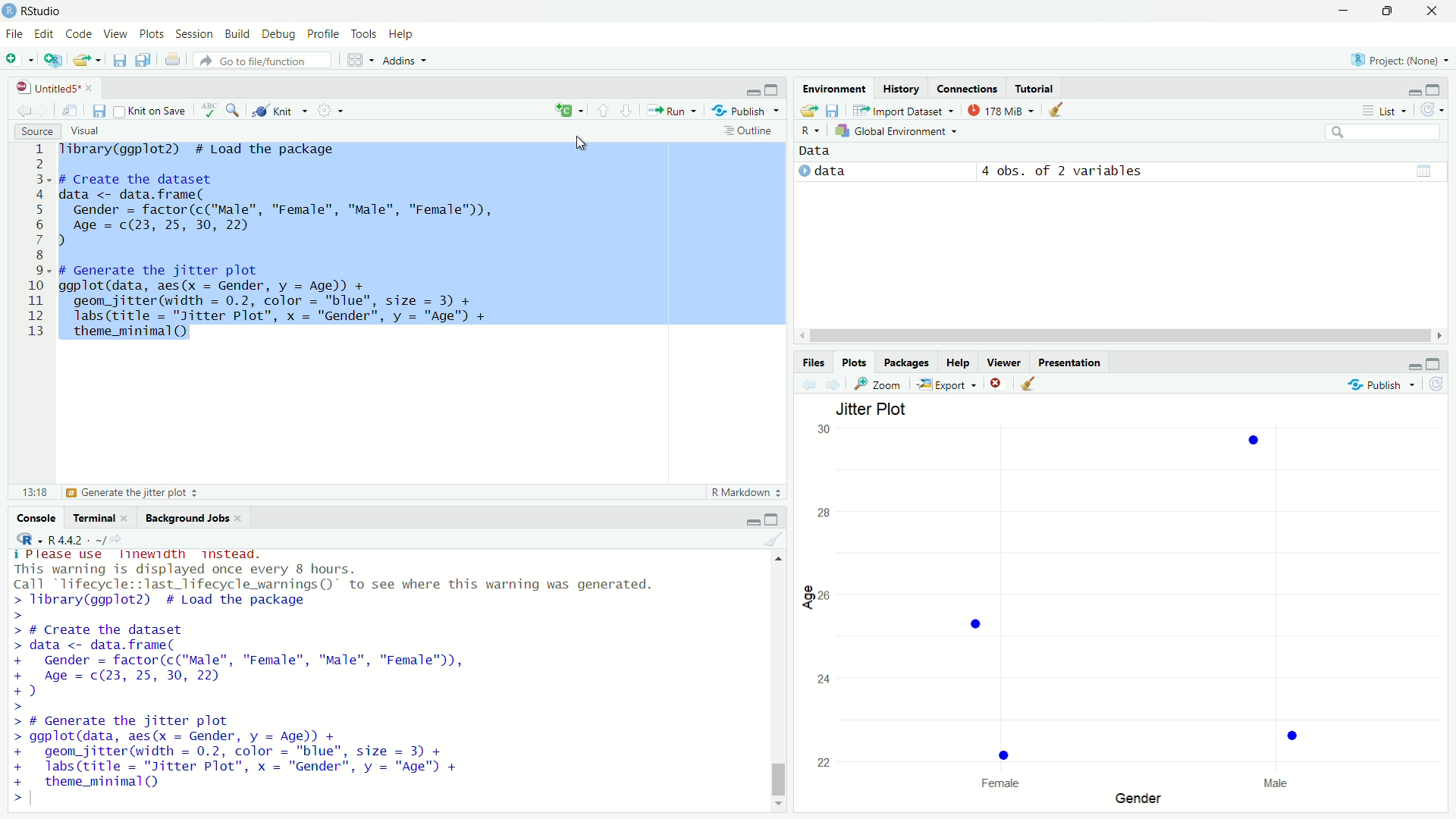 This screenshot has width=1456, height=819. I want to click on go to previous chunk/section, so click(602, 108).